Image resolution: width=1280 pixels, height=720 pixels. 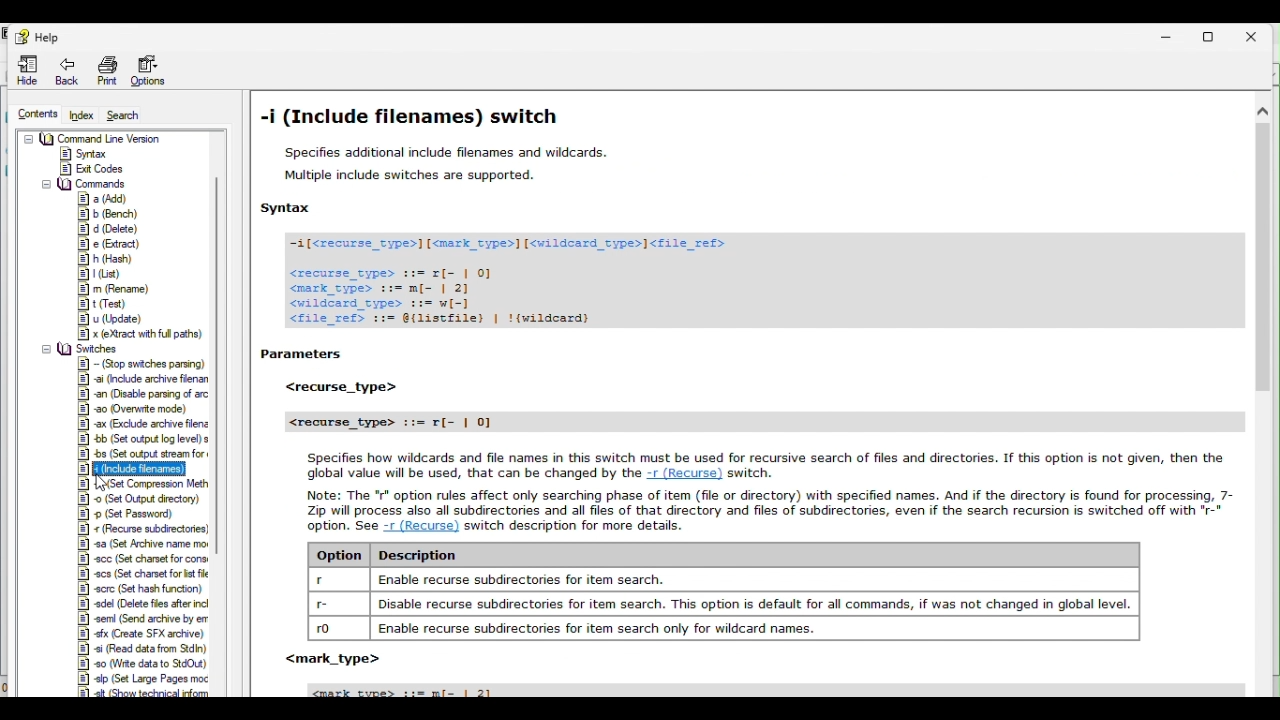 I want to click on Help , so click(x=37, y=33).